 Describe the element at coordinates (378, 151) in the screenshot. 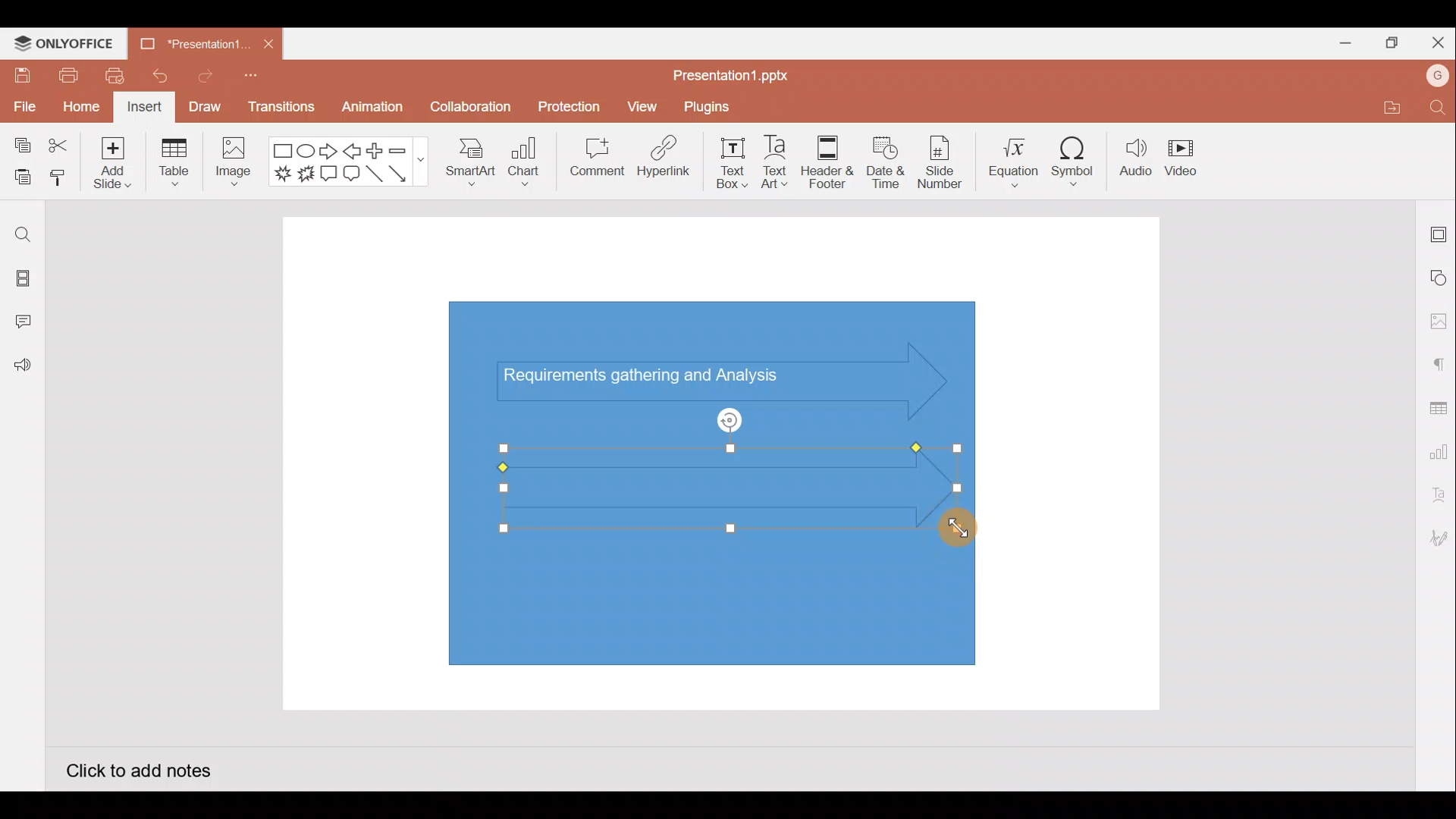

I see `Plus` at that location.